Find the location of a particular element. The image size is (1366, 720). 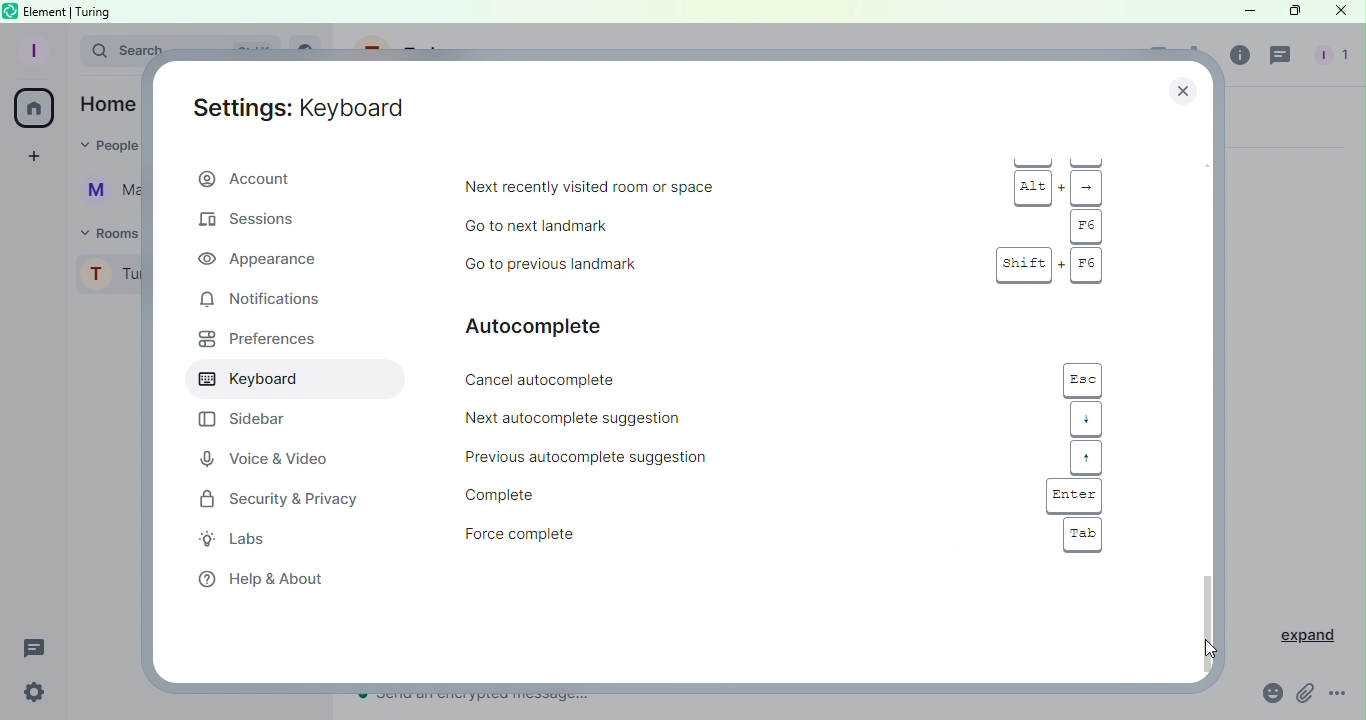

Profile is located at coordinates (106, 276).